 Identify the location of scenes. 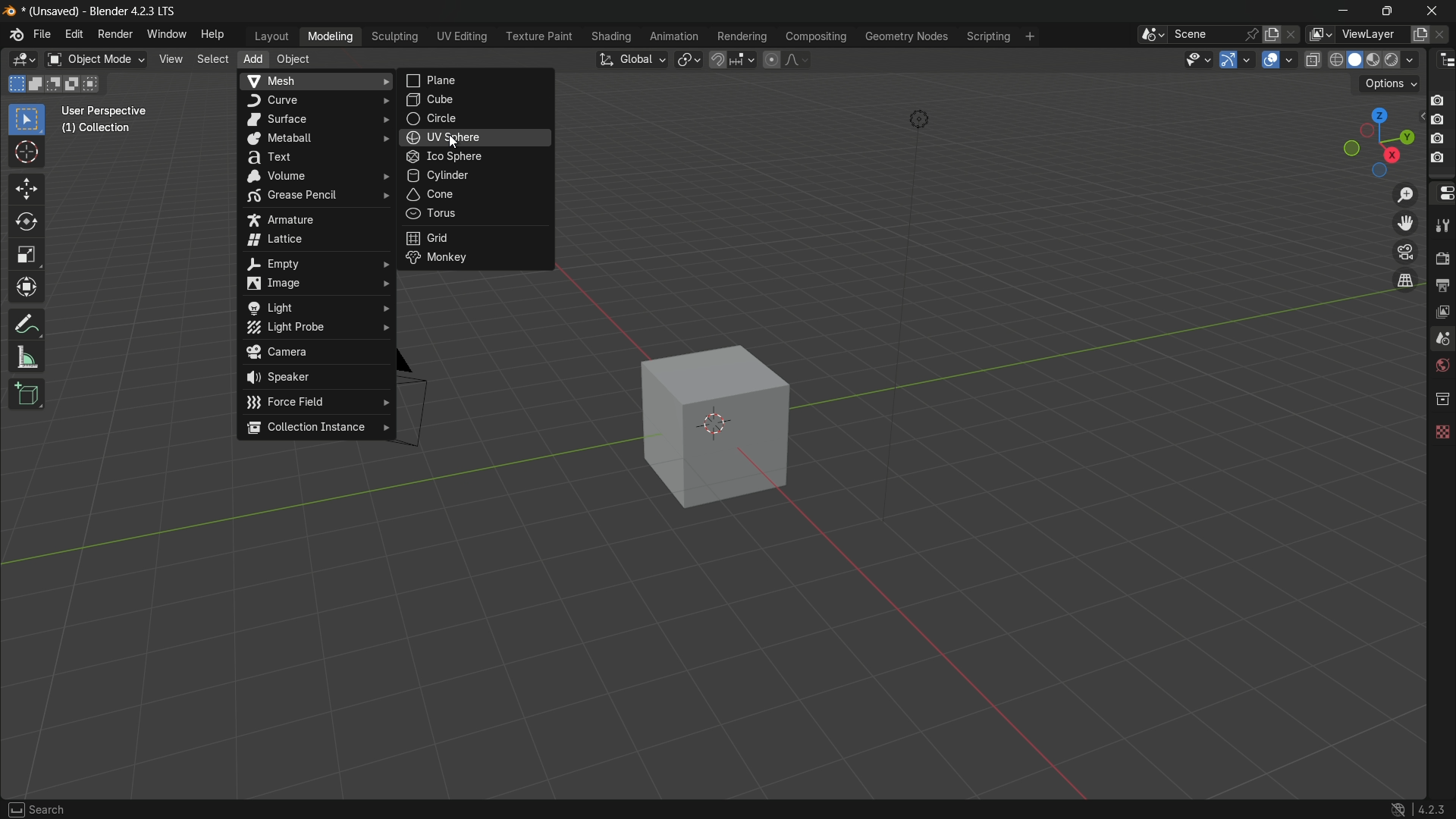
(1442, 337).